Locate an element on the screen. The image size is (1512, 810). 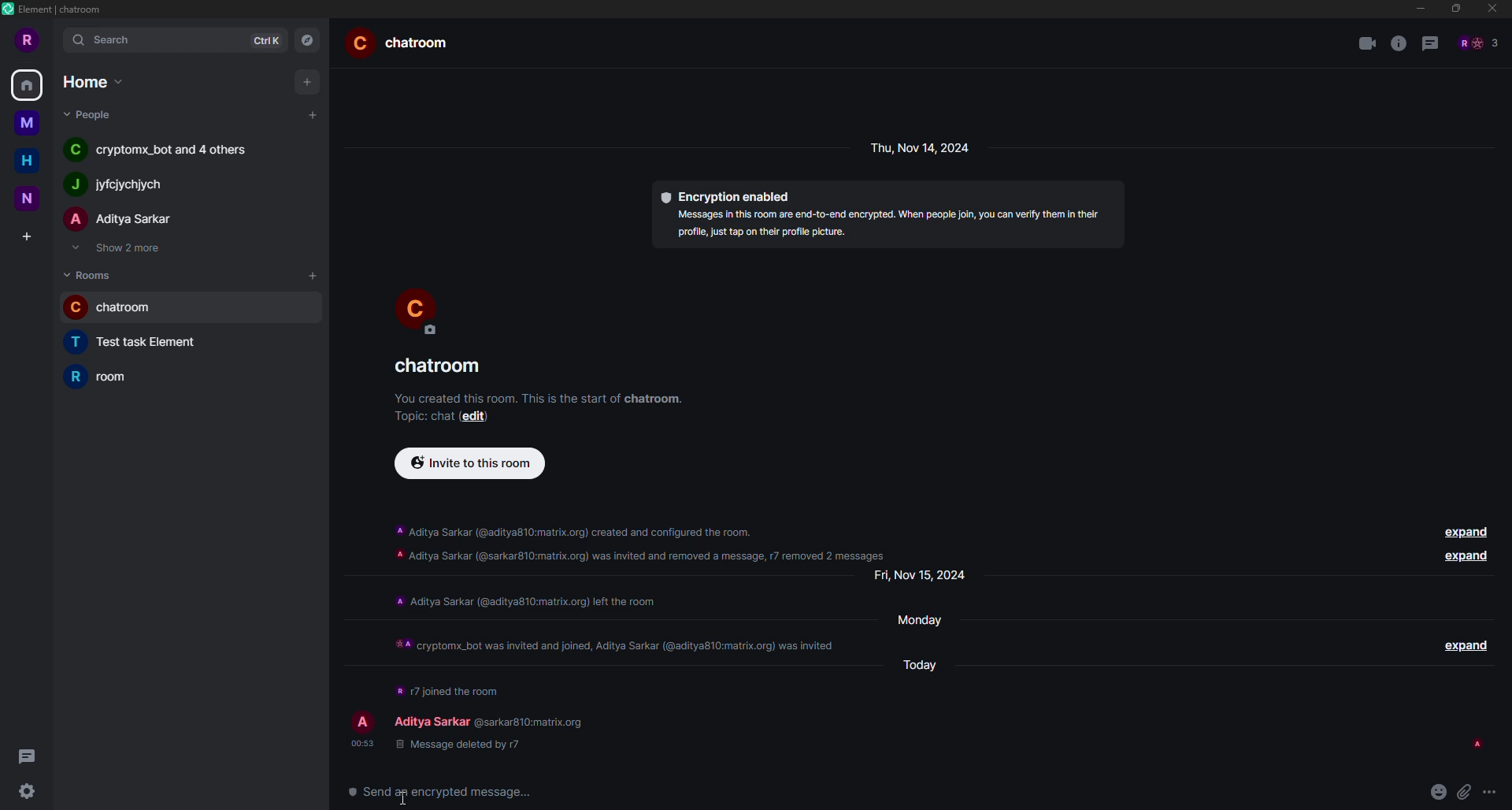
people is located at coordinates (432, 720).